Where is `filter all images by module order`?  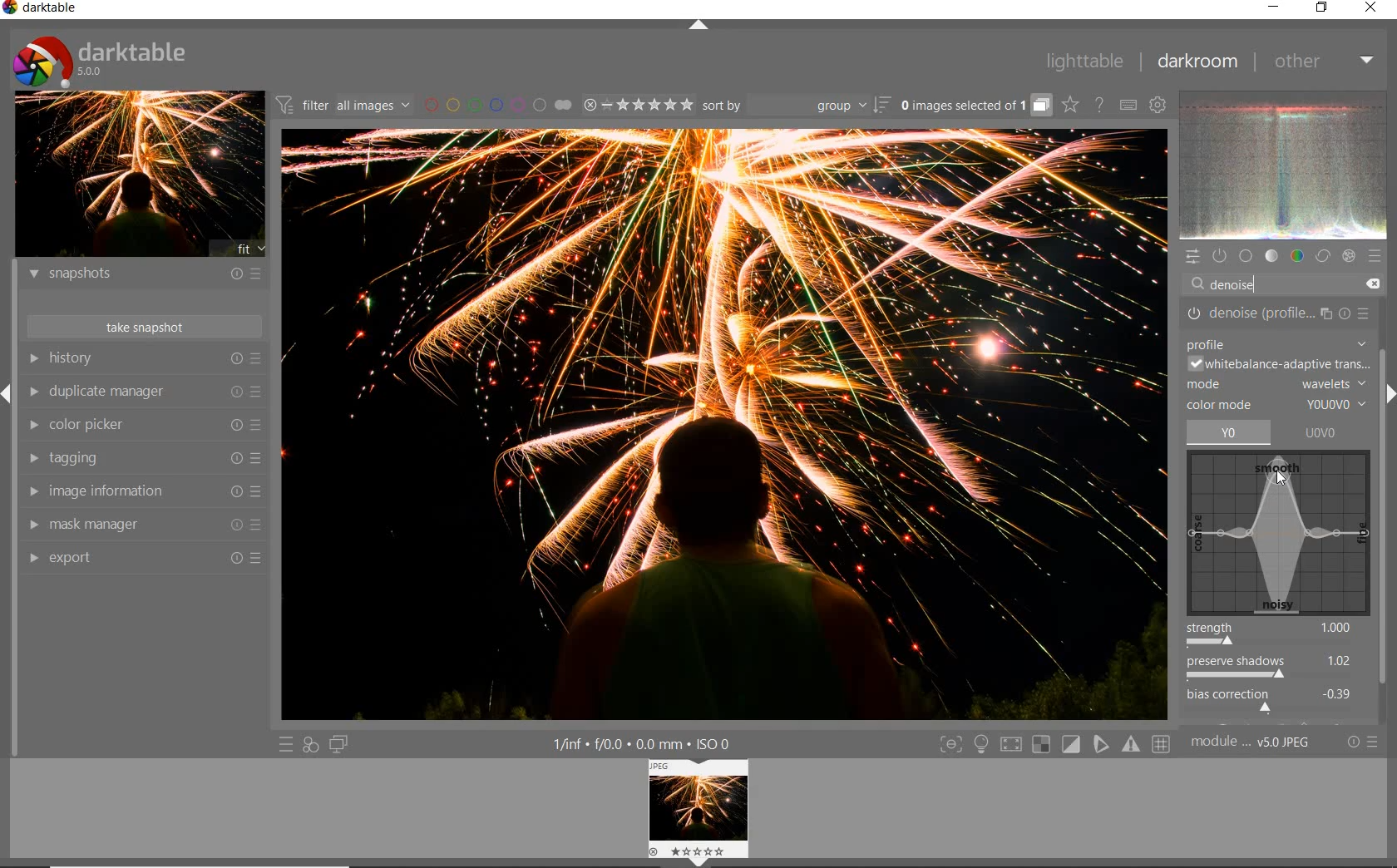
filter all images by module order is located at coordinates (343, 103).